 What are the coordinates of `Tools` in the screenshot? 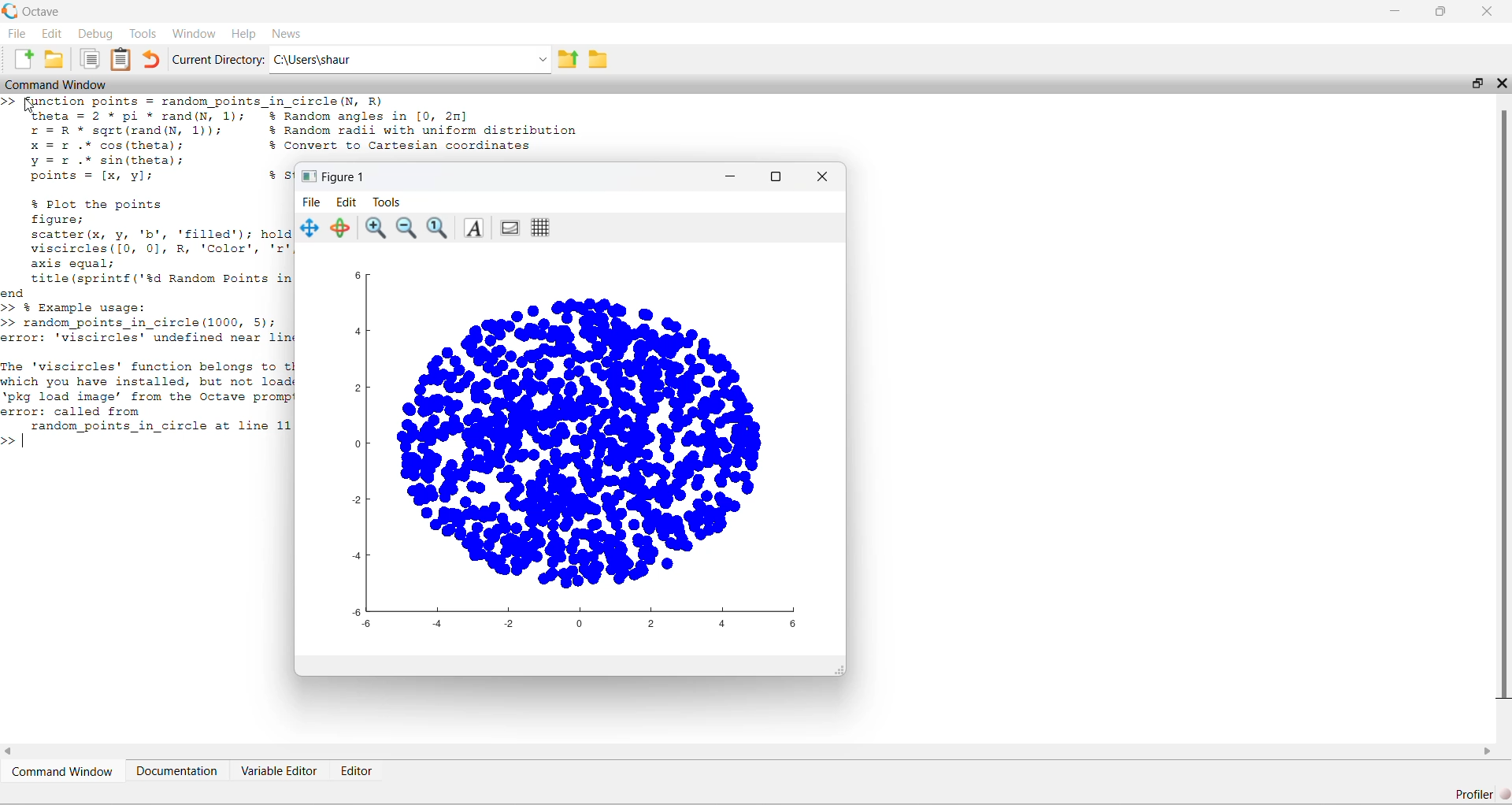 It's located at (142, 34).